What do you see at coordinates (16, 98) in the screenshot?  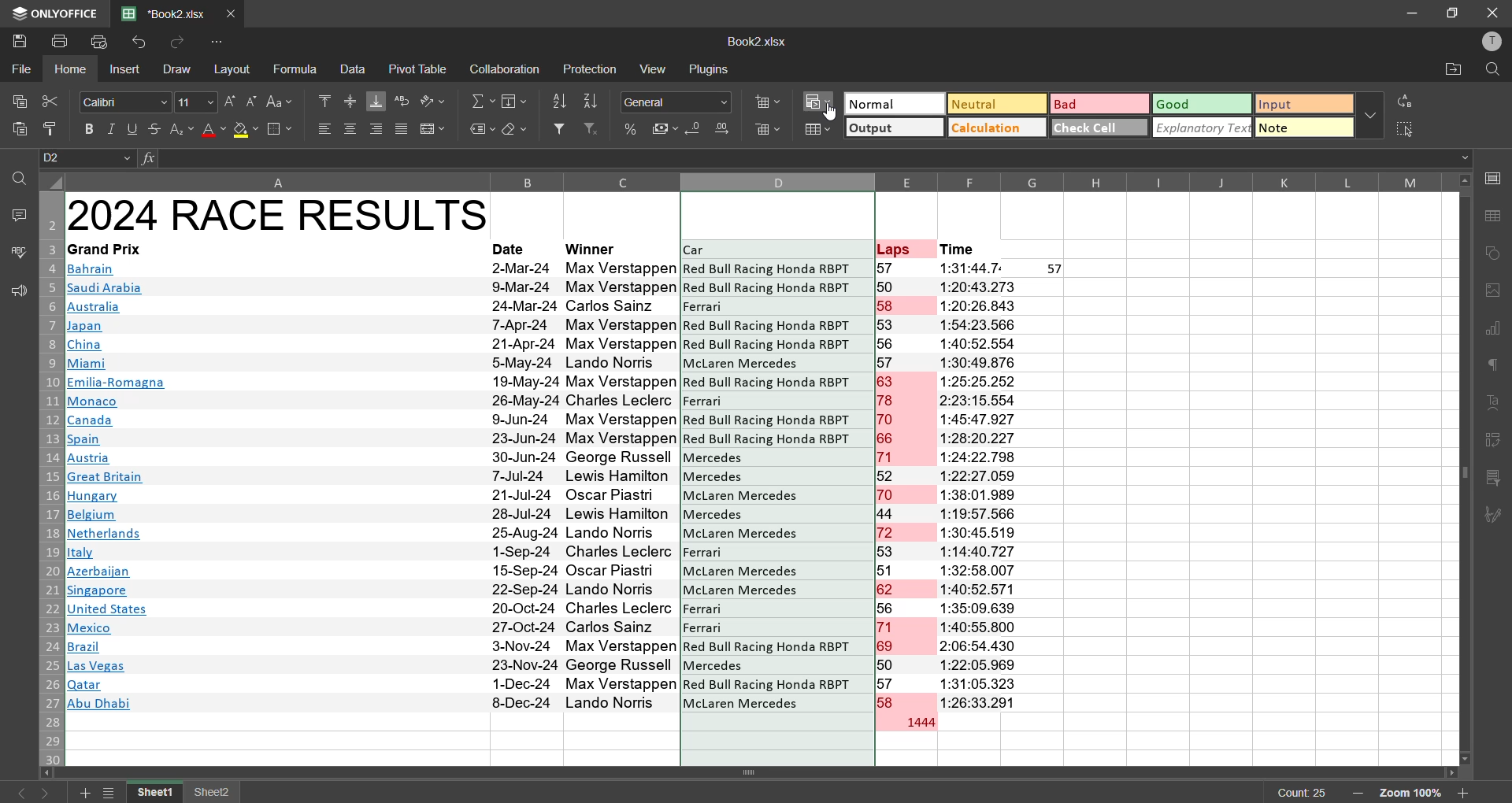 I see `copy` at bounding box center [16, 98].